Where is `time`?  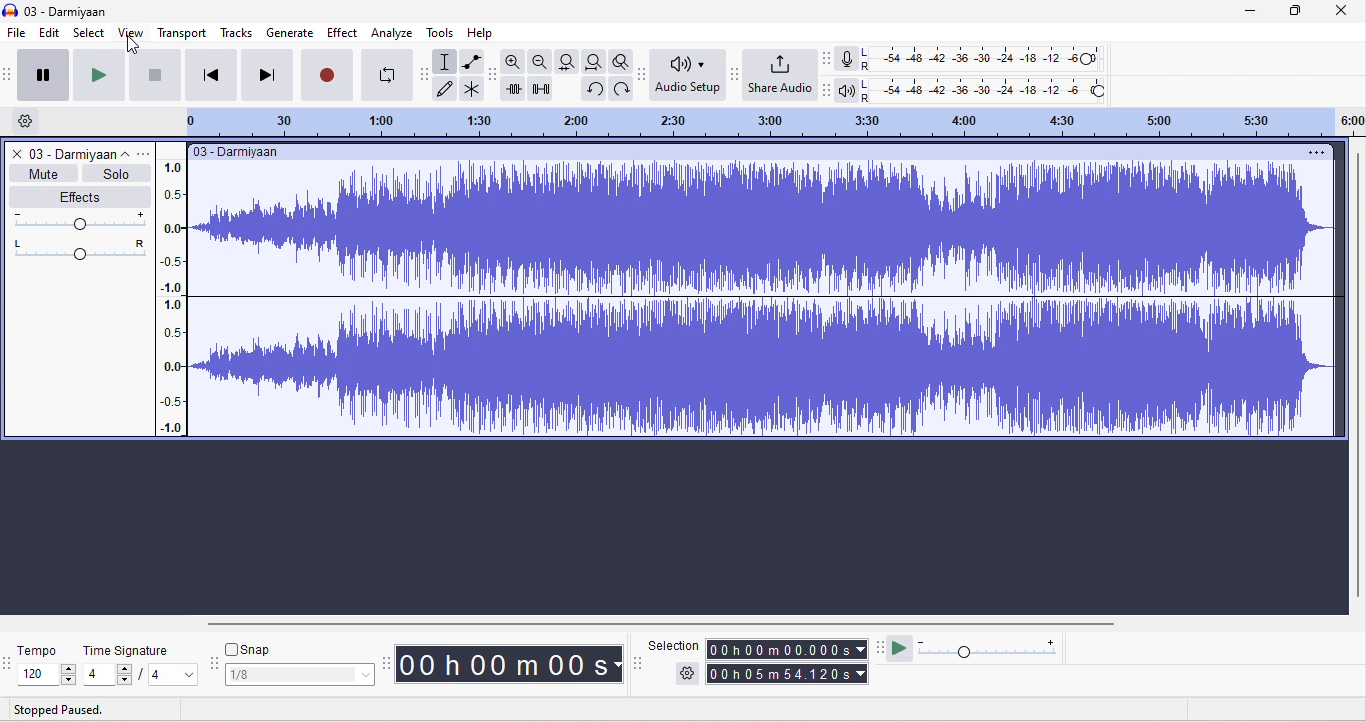 time is located at coordinates (2269, 3464).